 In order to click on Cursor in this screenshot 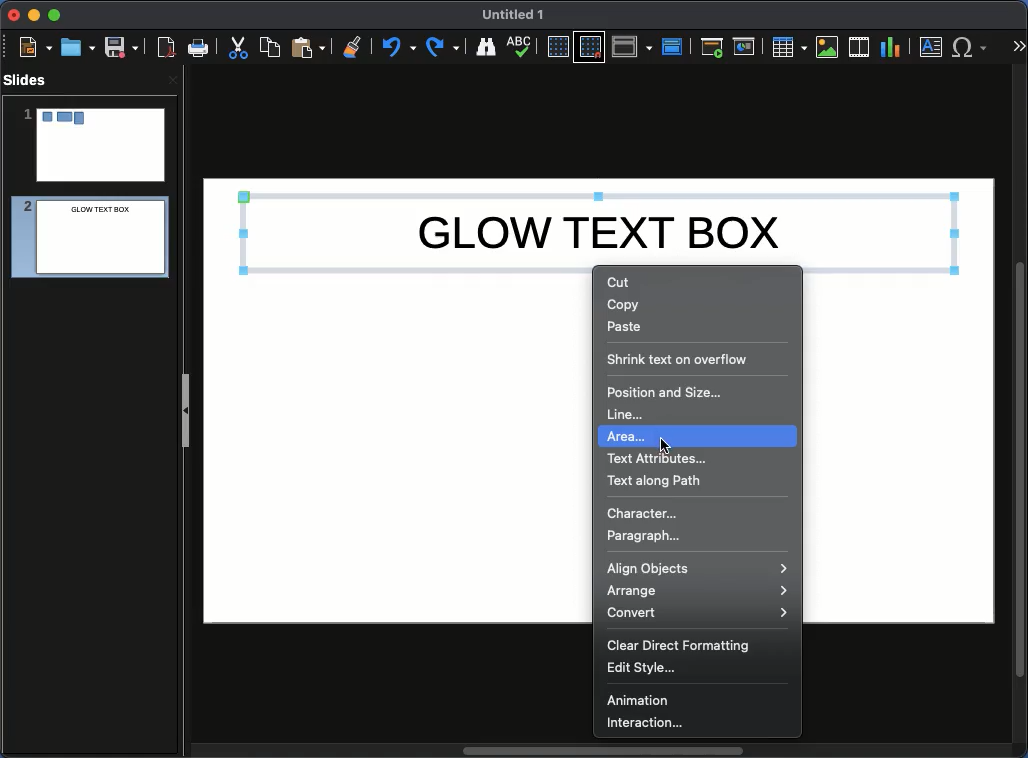, I will do `click(664, 445)`.